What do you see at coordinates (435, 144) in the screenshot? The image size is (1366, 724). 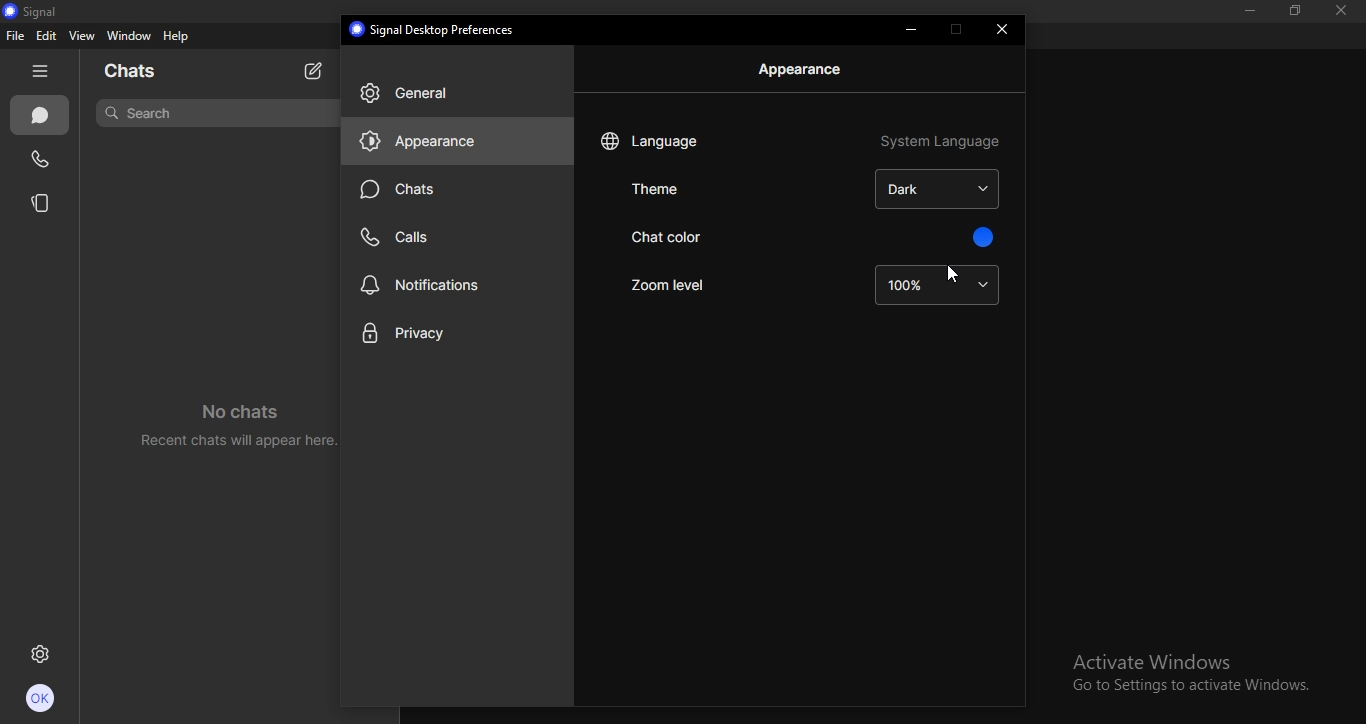 I see `appearance` at bounding box center [435, 144].